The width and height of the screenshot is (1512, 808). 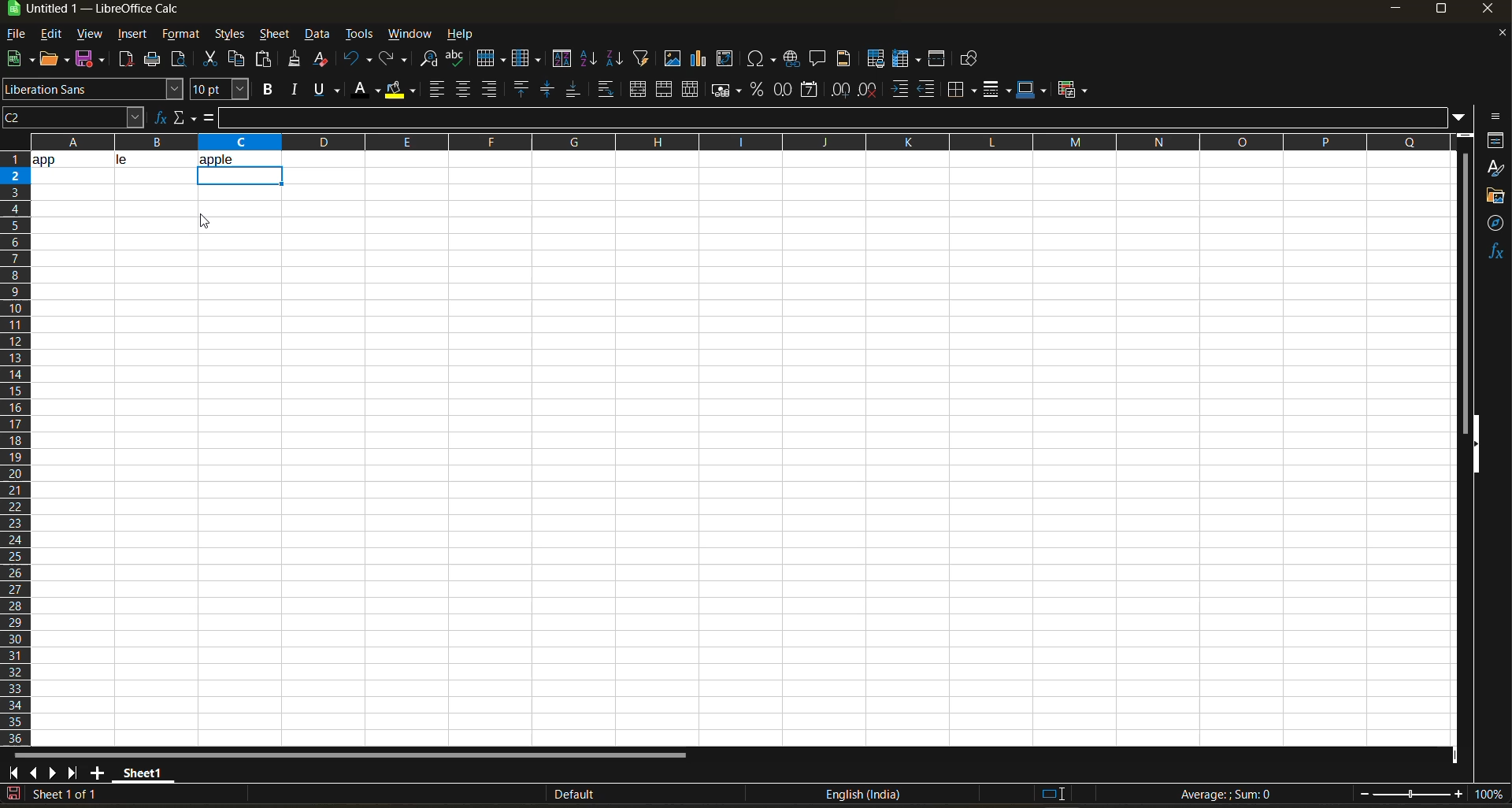 What do you see at coordinates (125, 61) in the screenshot?
I see `export directly as pdf` at bounding box center [125, 61].